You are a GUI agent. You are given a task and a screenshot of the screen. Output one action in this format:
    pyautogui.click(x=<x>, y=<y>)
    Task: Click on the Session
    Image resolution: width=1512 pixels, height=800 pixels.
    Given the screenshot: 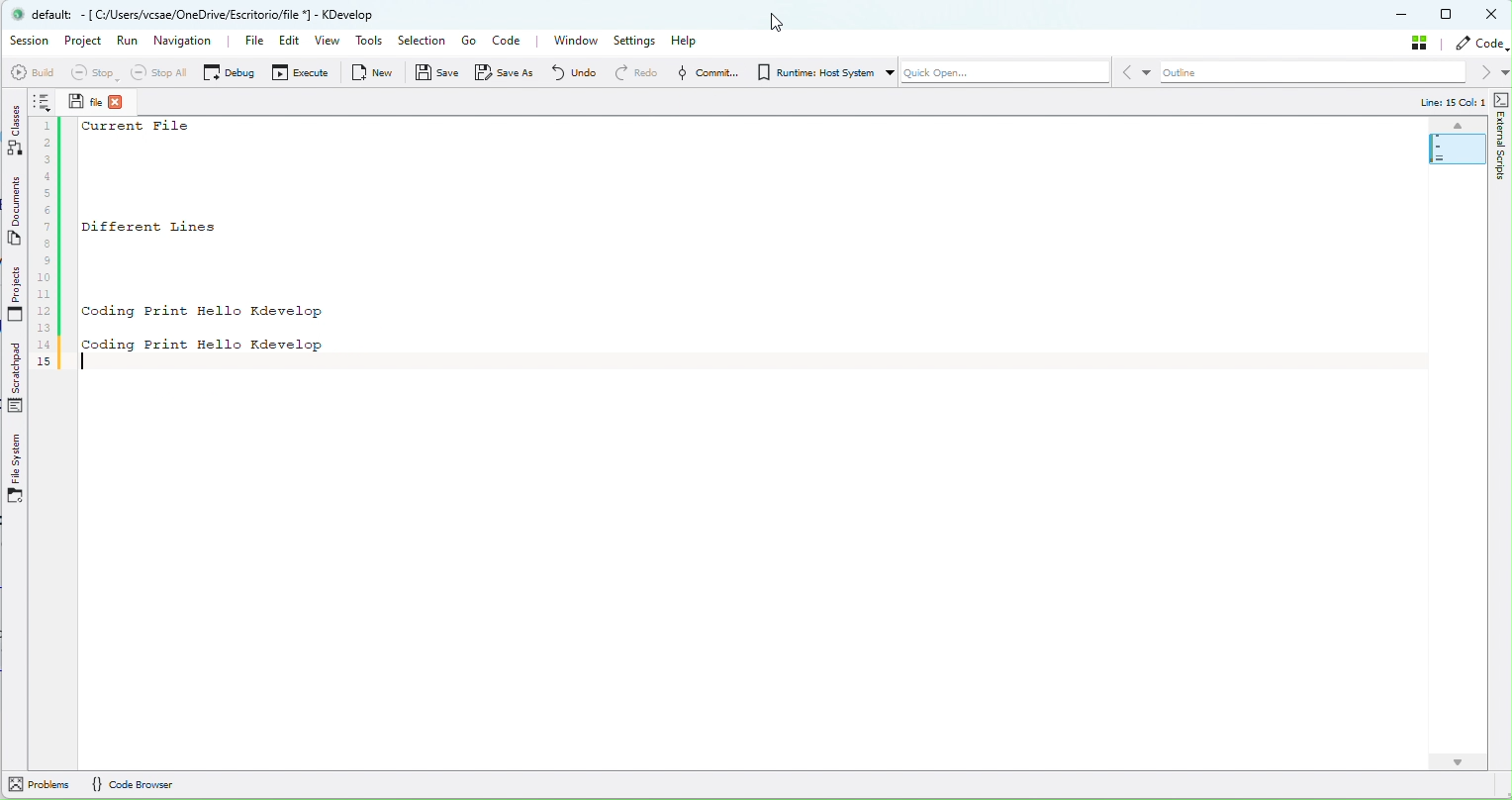 What is the action you would take?
    pyautogui.click(x=30, y=41)
    